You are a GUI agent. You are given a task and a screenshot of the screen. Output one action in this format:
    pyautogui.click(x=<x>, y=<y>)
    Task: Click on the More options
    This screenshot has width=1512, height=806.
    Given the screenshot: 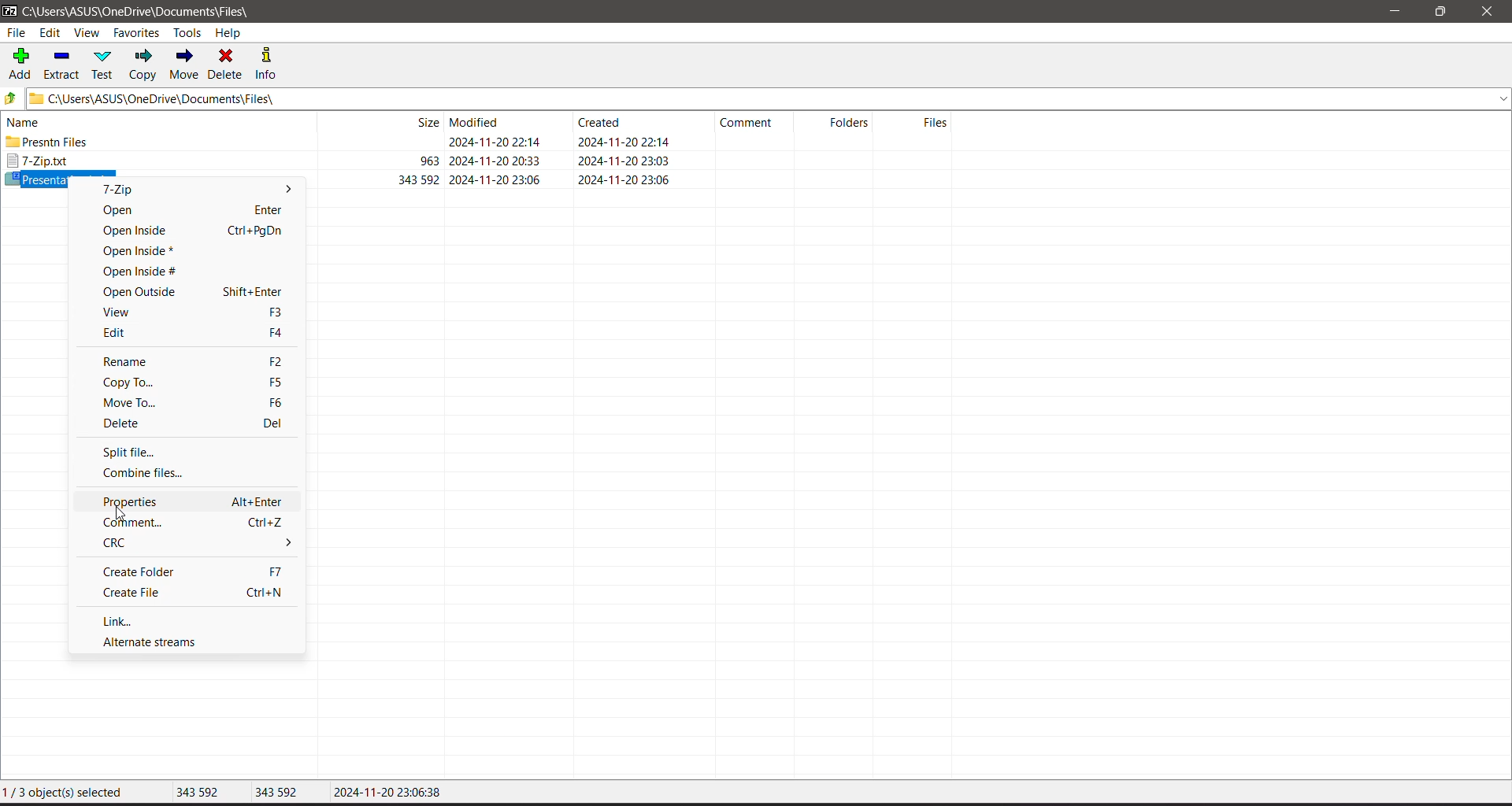 What is the action you would take?
    pyautogui.click(x=282, y=544)
    